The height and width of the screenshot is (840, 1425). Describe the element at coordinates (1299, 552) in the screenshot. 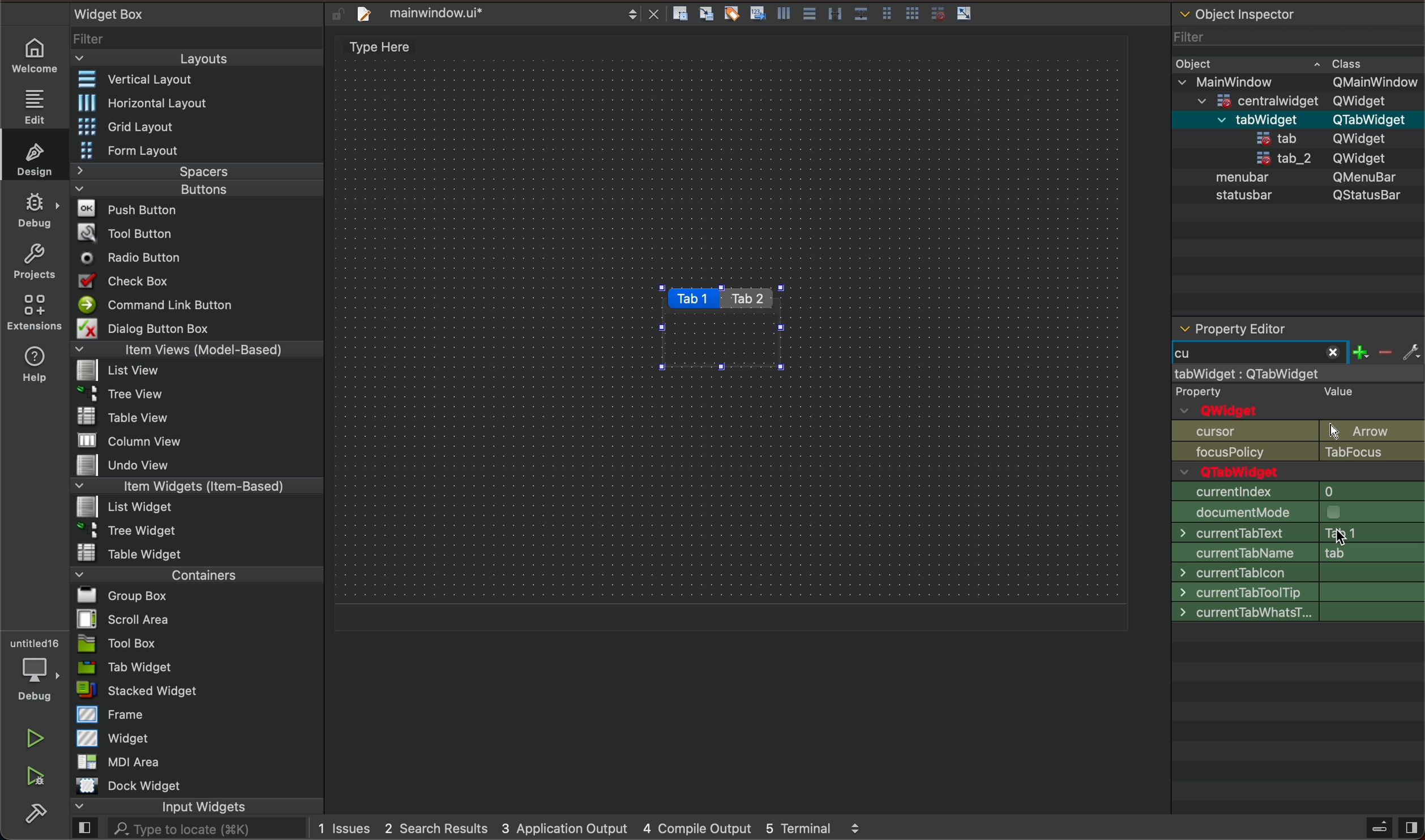

I see `` at that location.